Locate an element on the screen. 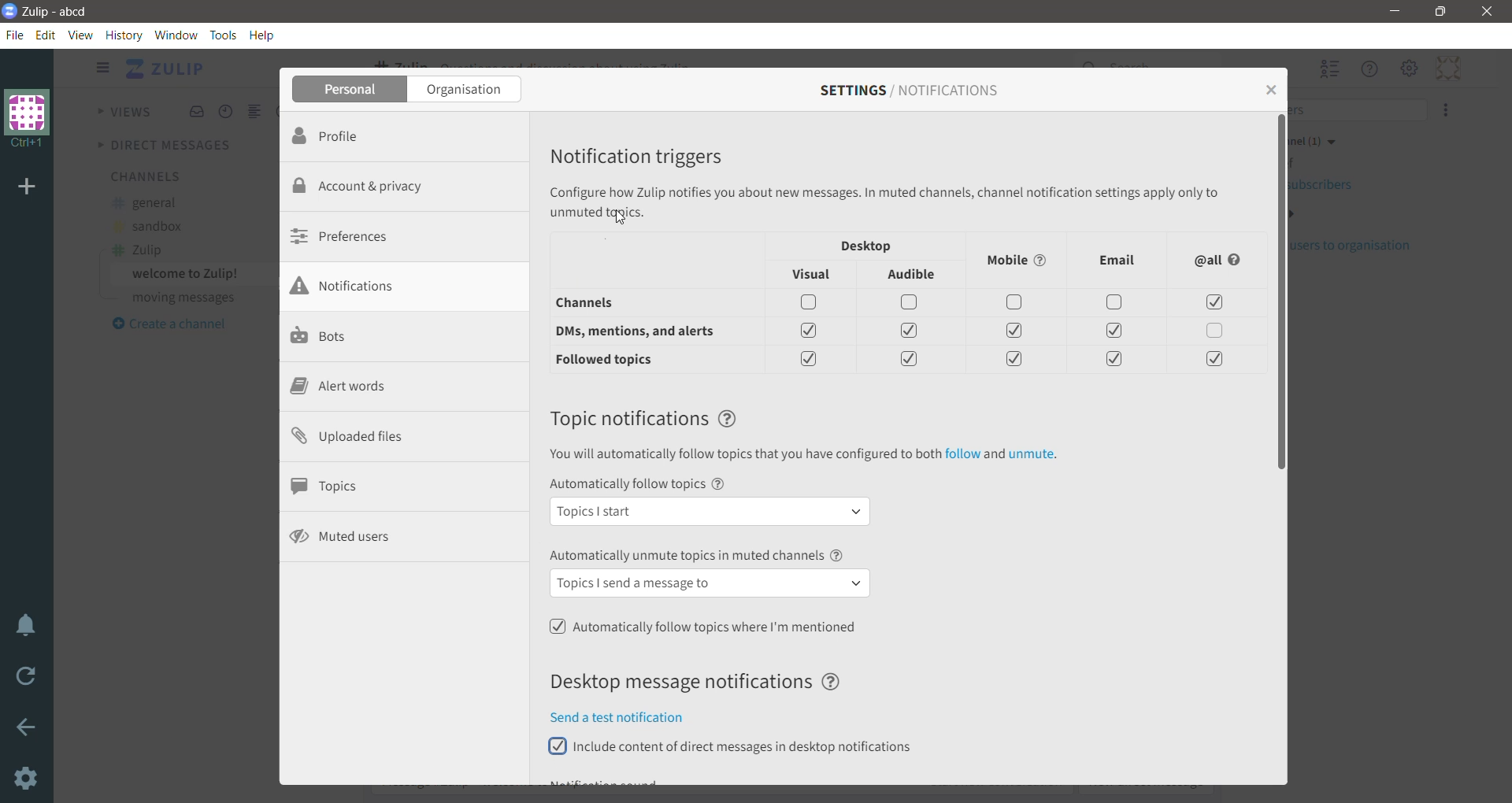 The image size is (1512, 803). check box is located at coordinates (1114, 331).